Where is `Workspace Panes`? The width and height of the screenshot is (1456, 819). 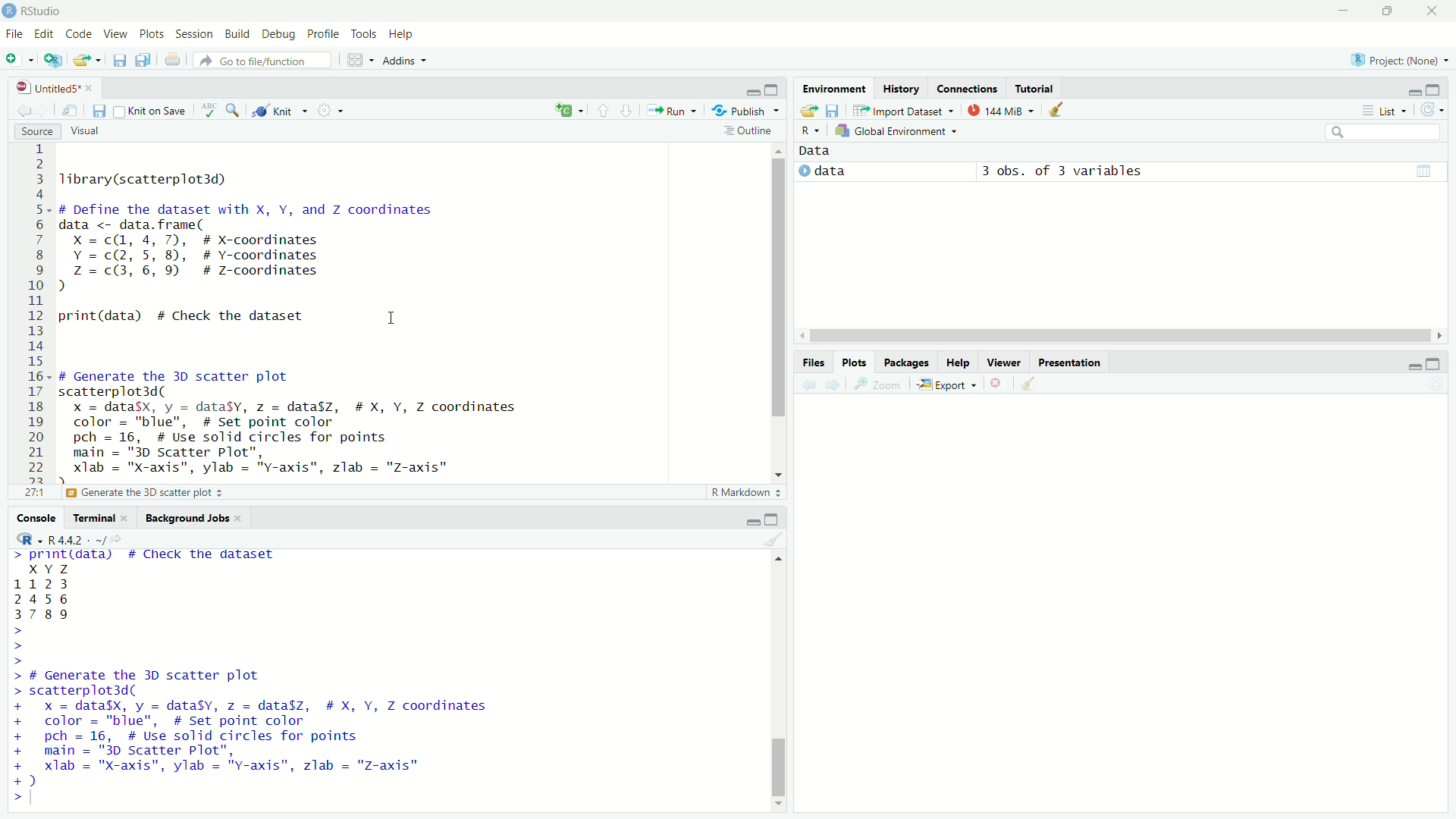
Workspace Panes is located at coordinates (357, 56).